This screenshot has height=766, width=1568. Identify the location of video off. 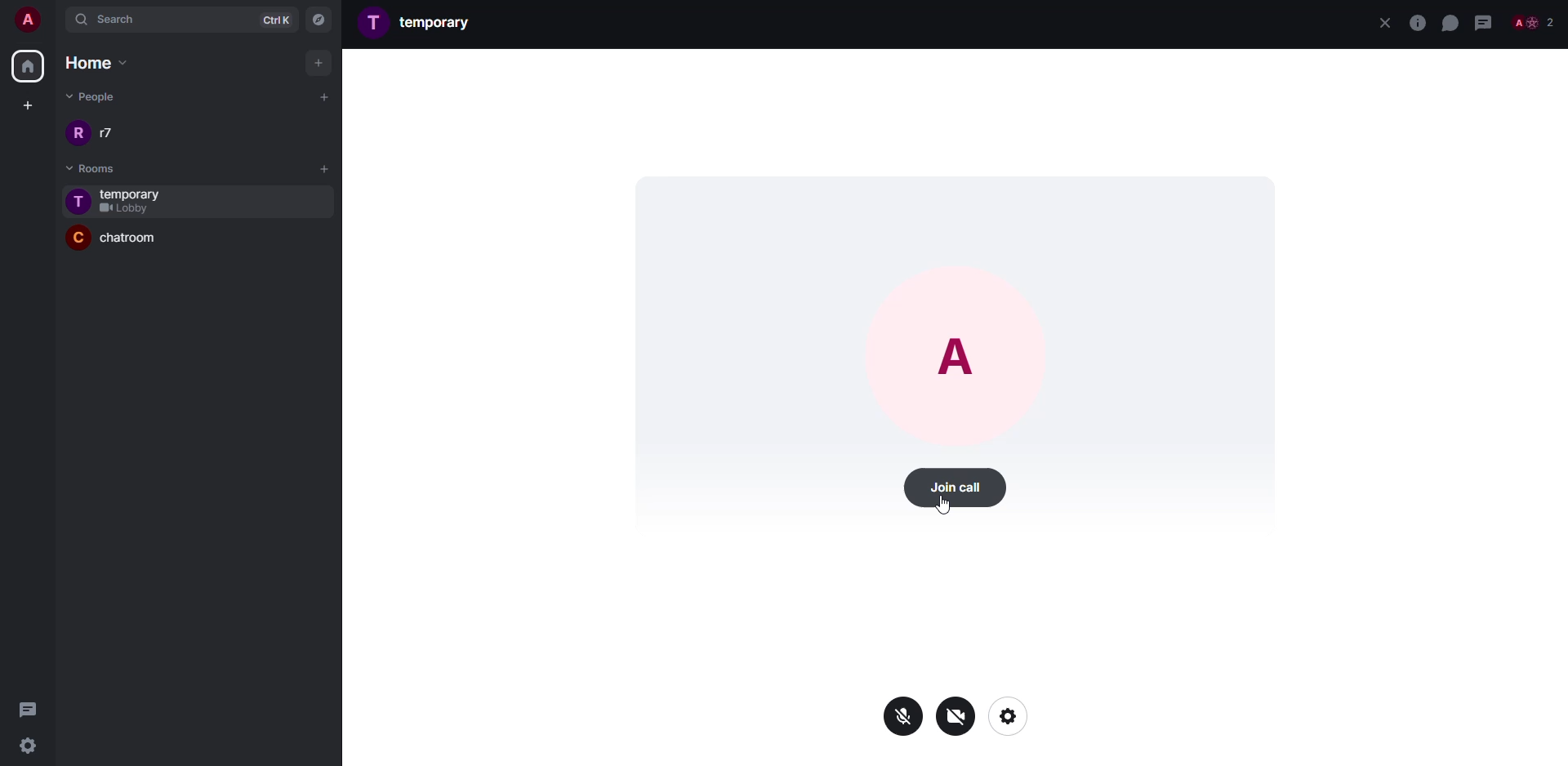
(956, 716).